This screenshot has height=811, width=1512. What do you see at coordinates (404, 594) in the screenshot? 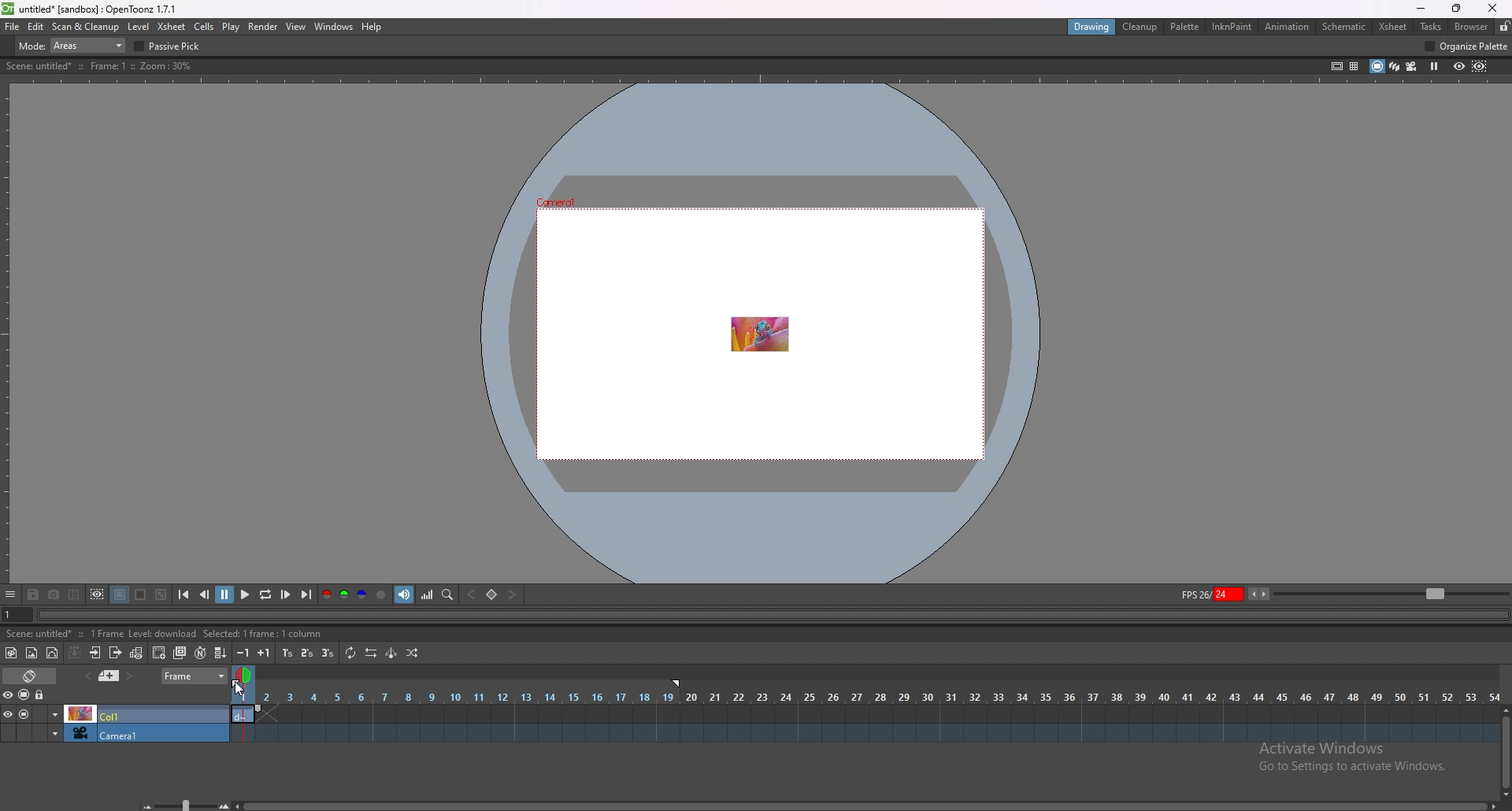
I see `soundtrack` at bounding box center [404, 594].